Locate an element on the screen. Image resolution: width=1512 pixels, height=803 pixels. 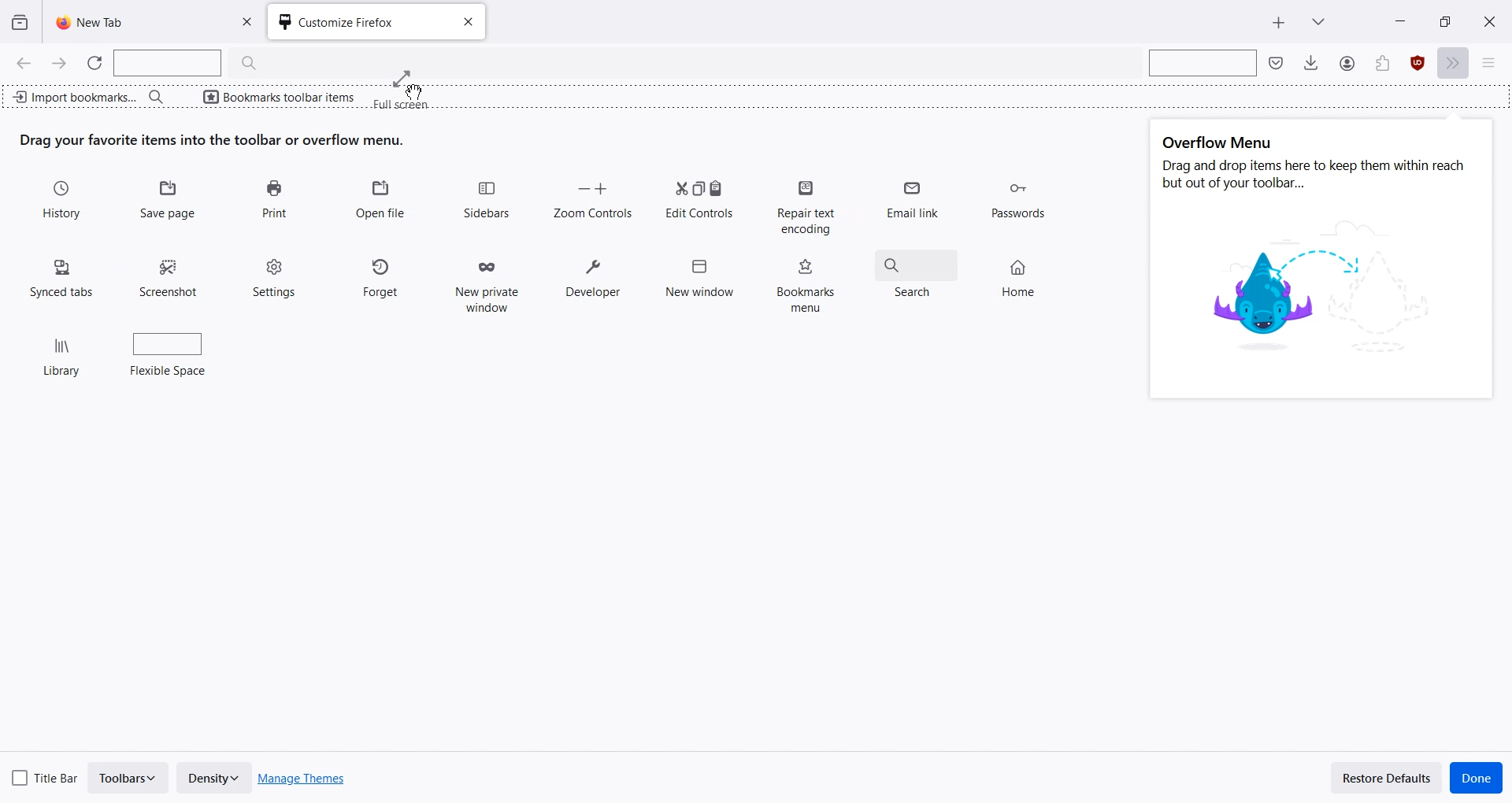
Open file is located at coordinates (380, 200).